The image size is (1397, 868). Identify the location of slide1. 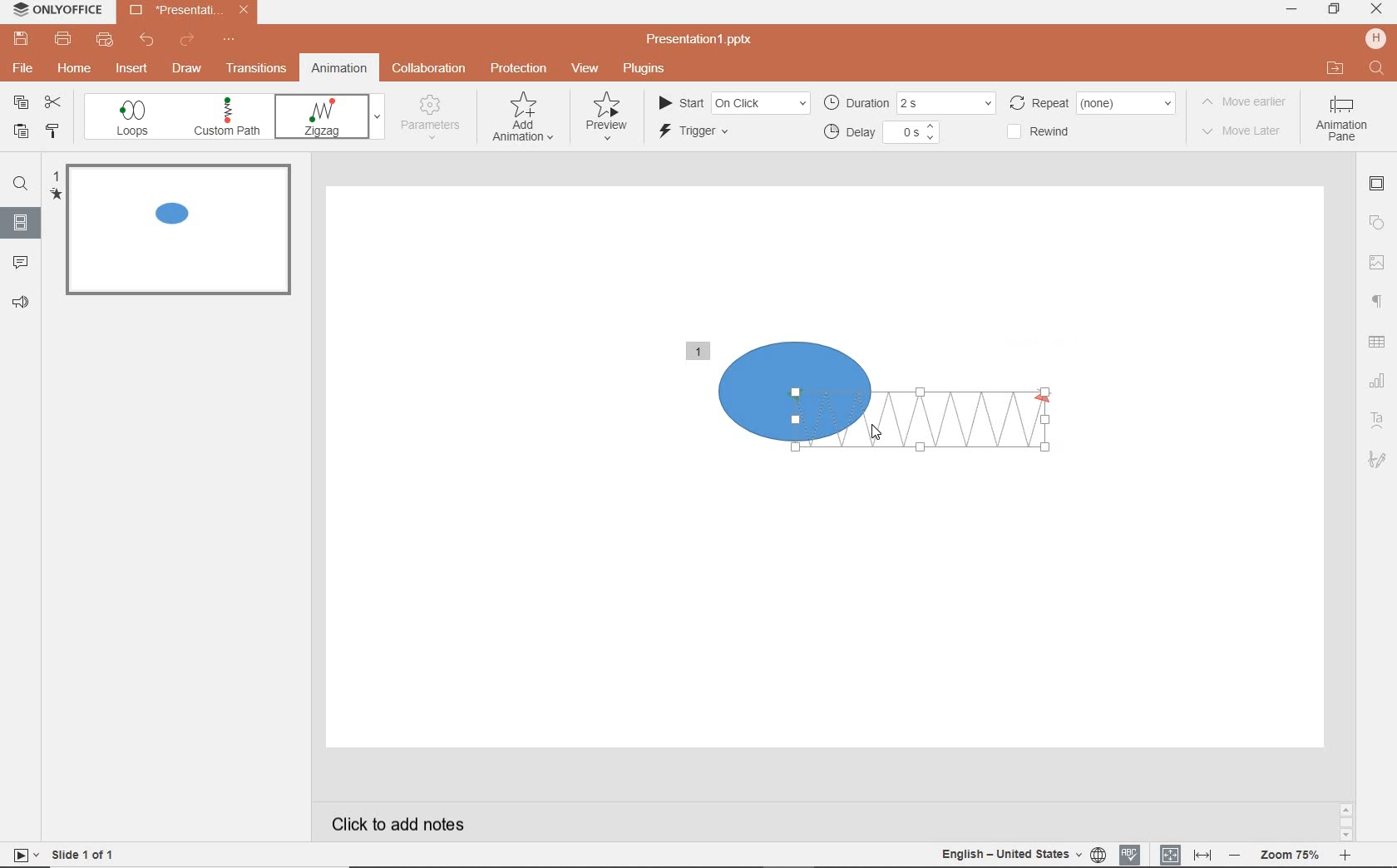
(183, 233).